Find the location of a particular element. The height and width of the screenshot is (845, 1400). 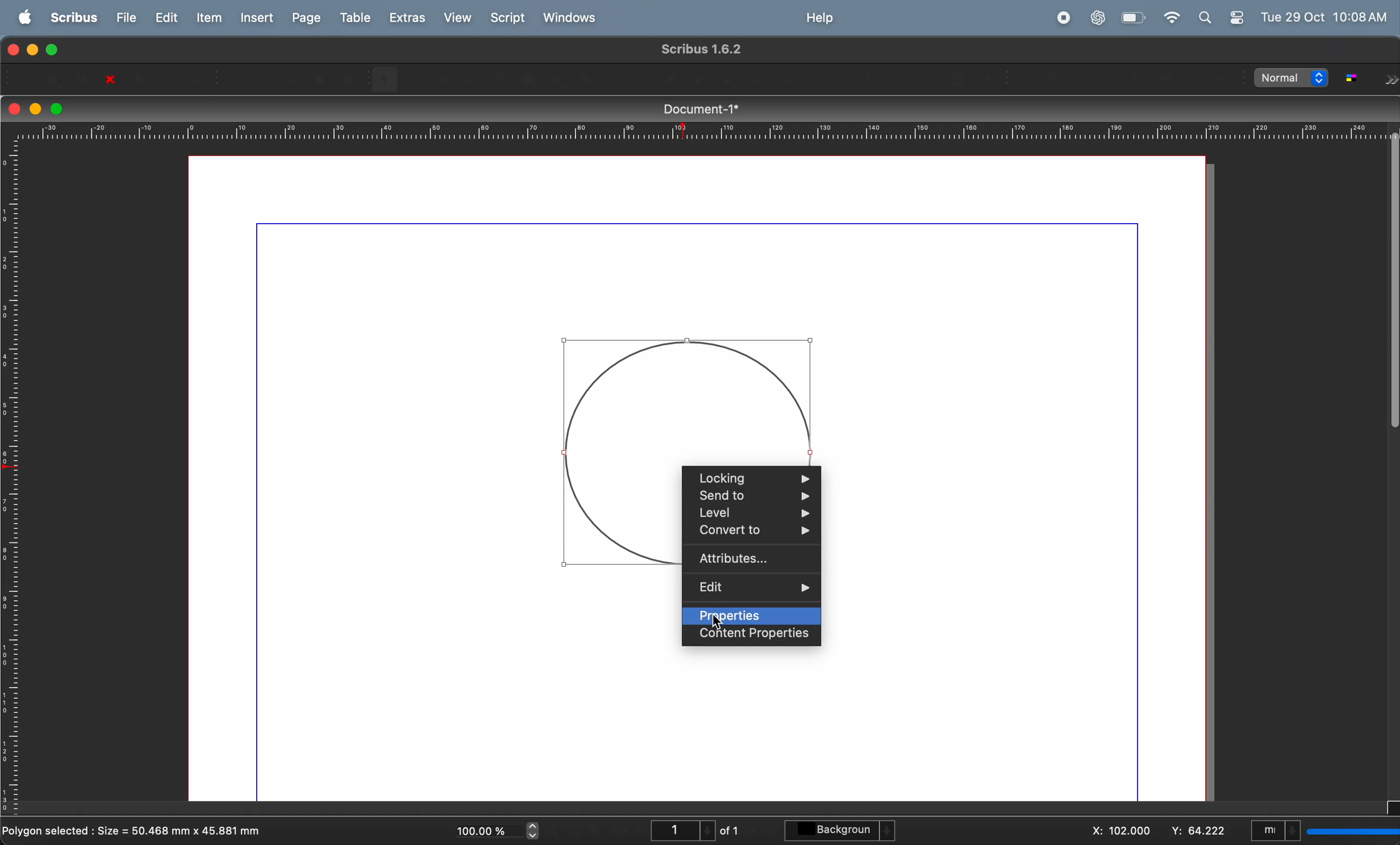

table is located at coordinates (353, 17).